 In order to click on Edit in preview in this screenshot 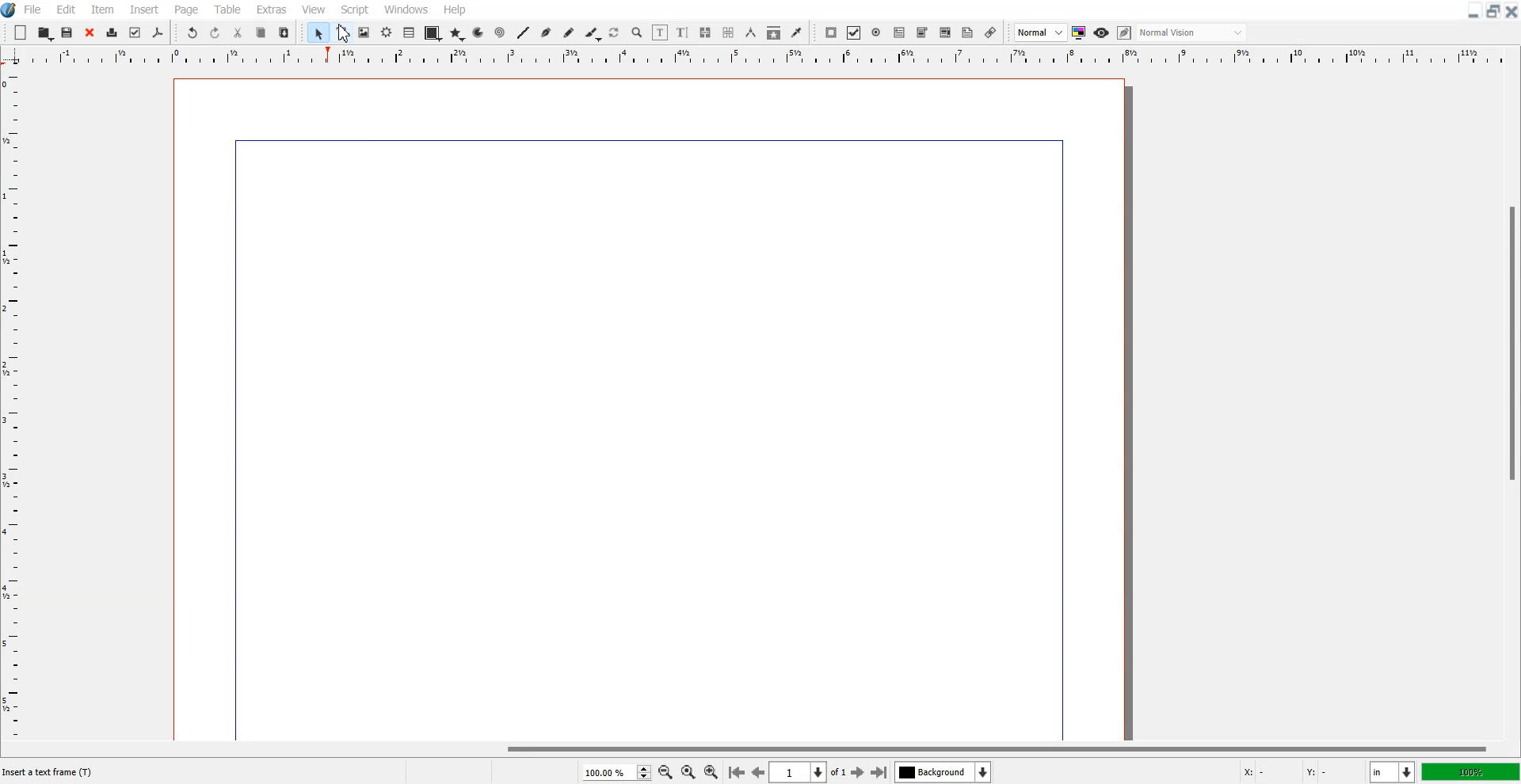, I will do `click(1126, 33)`.